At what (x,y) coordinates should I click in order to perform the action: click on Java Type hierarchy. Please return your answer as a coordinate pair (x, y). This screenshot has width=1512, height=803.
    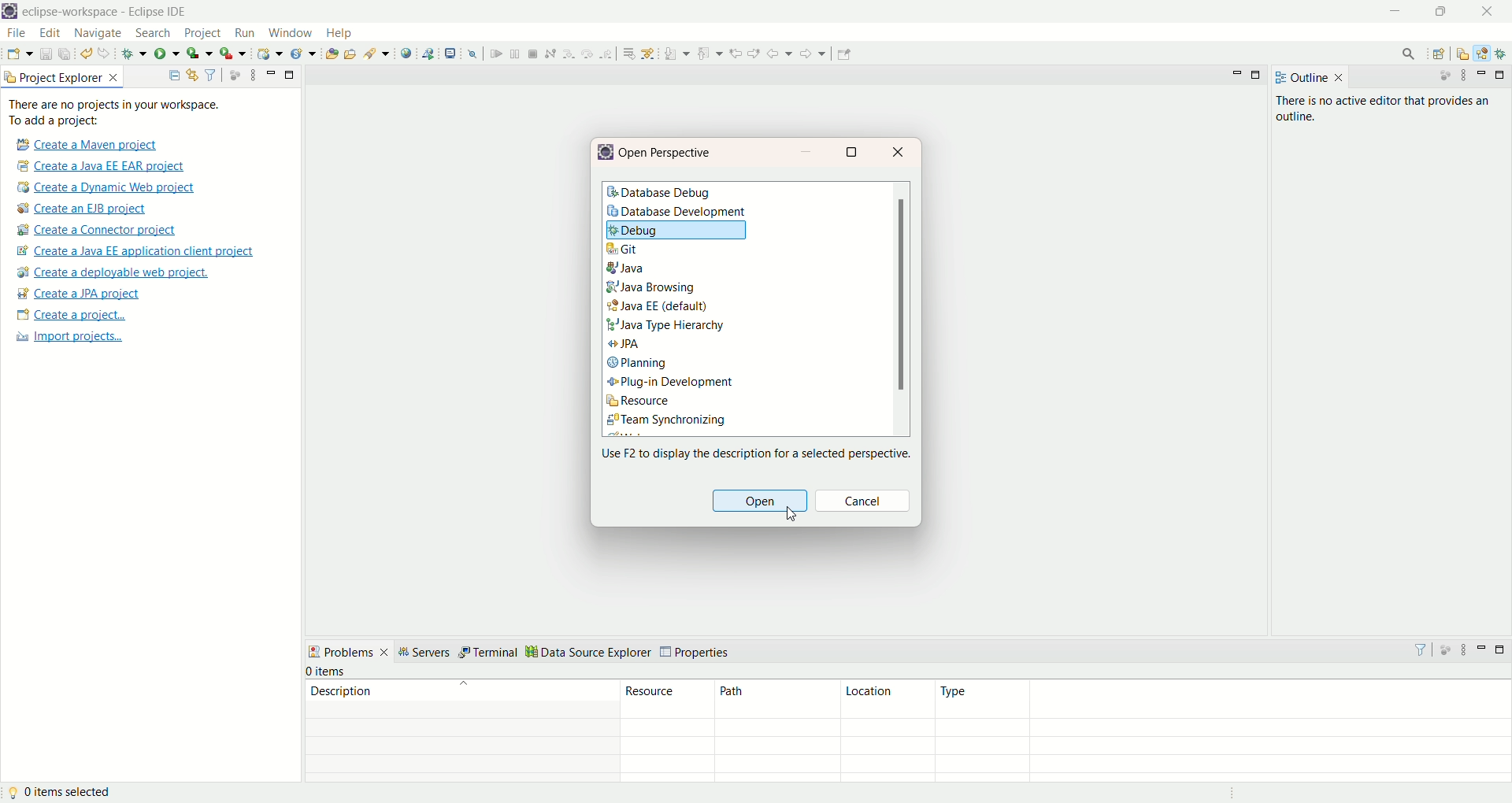
    Looking at the image, I should click on (665, 327).